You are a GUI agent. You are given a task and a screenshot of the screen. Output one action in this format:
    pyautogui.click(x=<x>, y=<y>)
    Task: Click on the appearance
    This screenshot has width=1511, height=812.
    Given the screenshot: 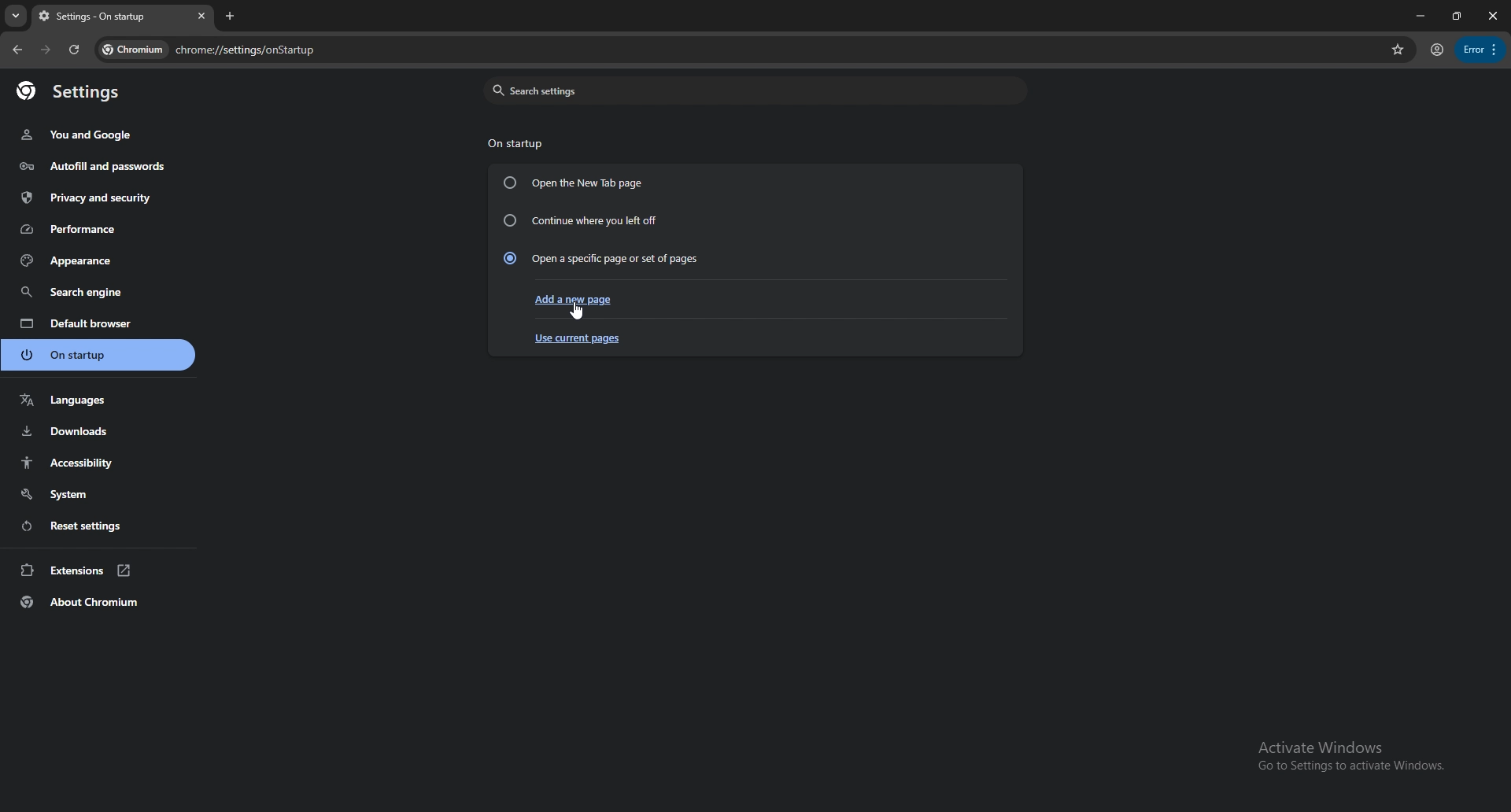 What is the action you would take?
    pyautogui.click(x=100, y=260)
    